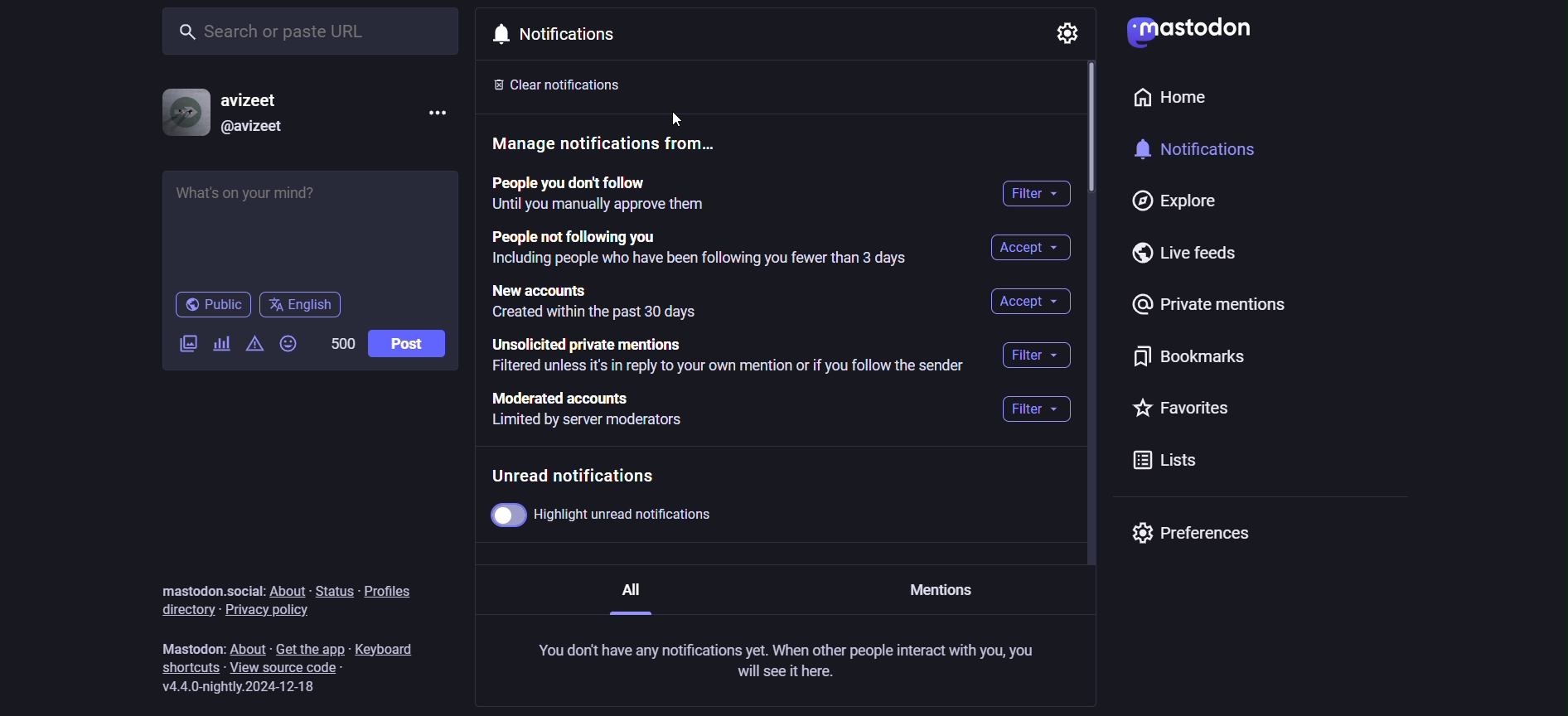 This screenshot has height=716, width=1568. Describe the element at coordinates (270, 611) in the screenshot. I see `privacy policy` at that location.